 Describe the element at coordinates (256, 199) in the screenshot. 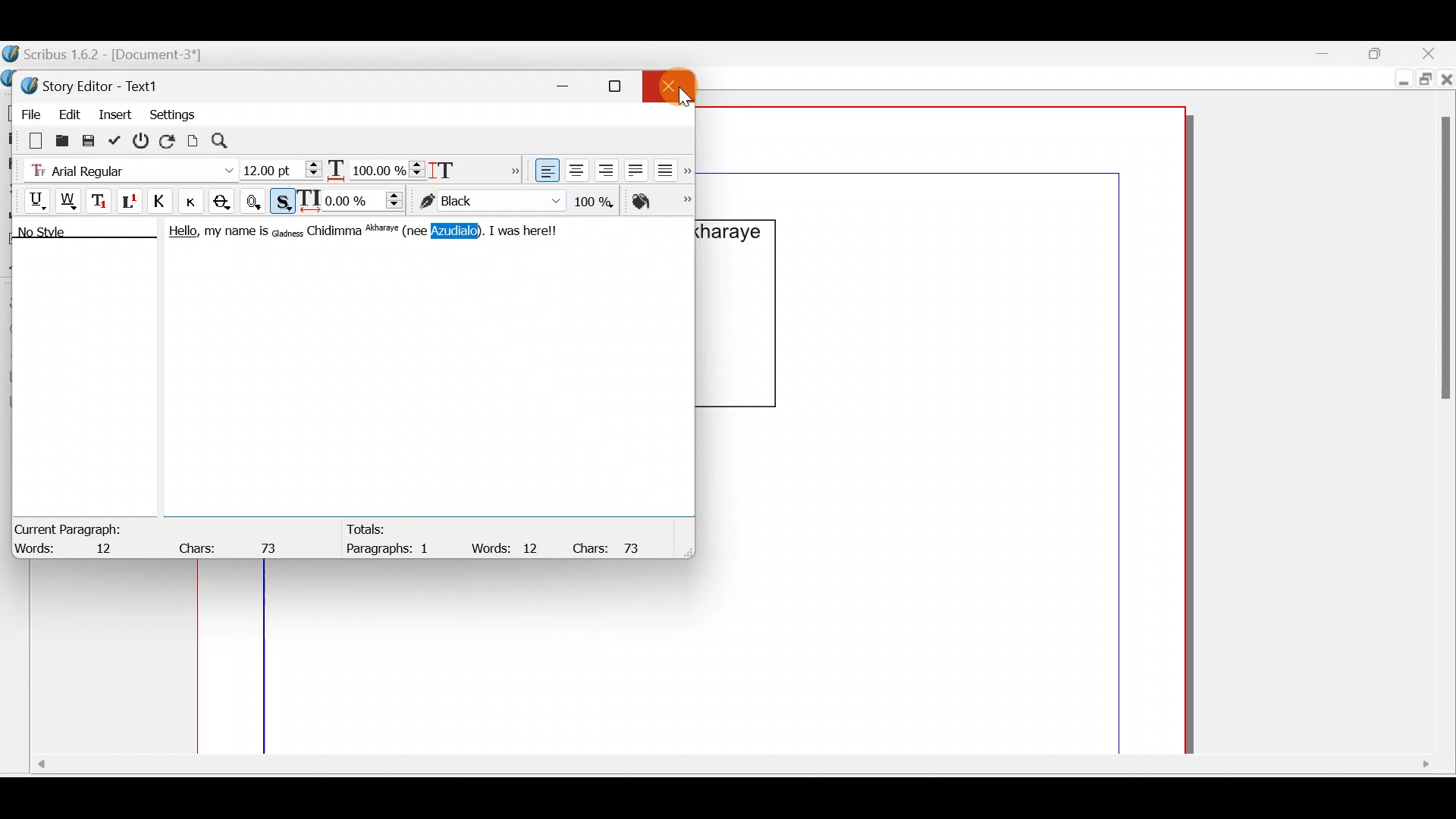

I see `Outline` at that location.